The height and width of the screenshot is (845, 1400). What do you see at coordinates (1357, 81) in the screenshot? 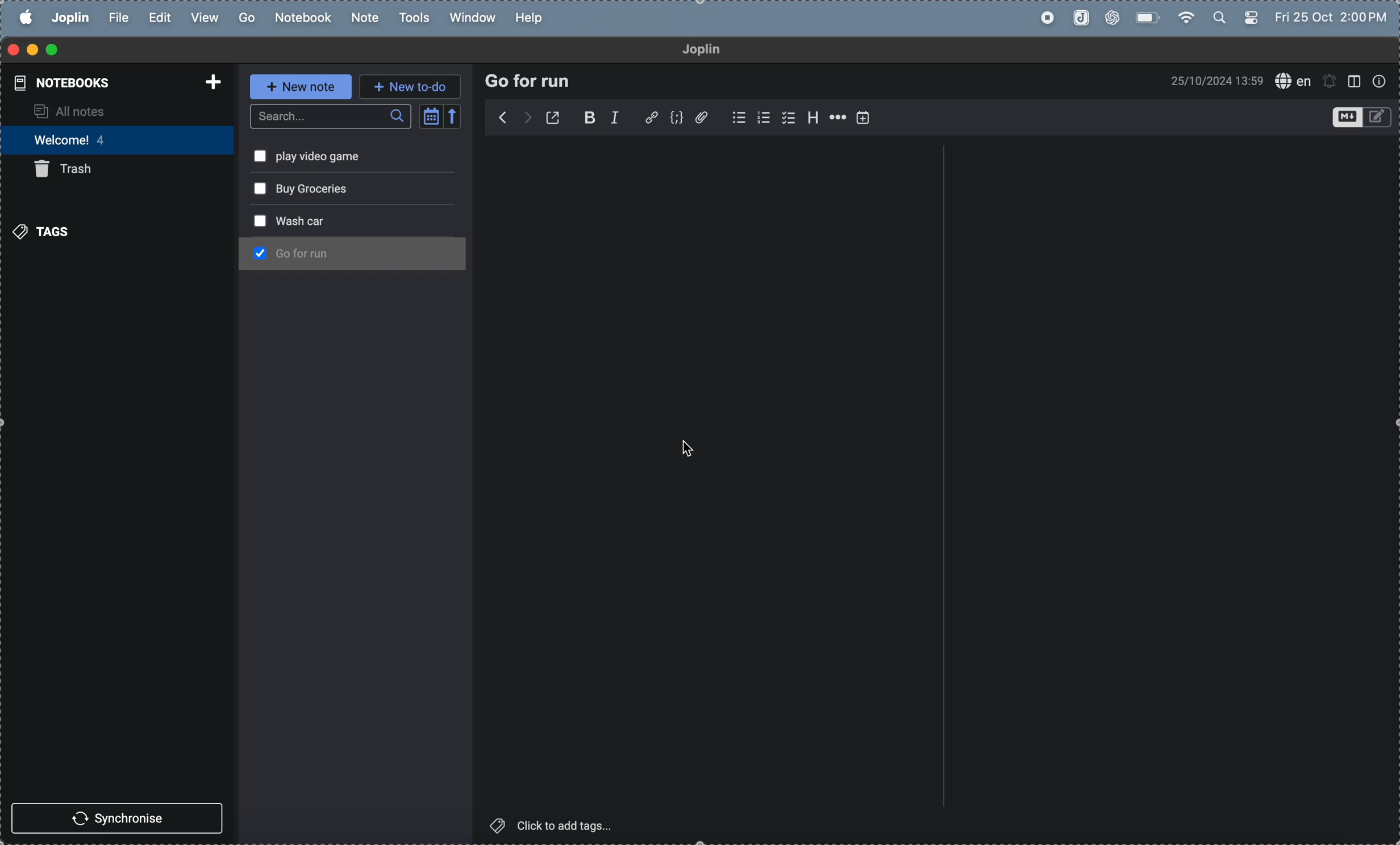
I see `window` at bounding box center [1357, 81].